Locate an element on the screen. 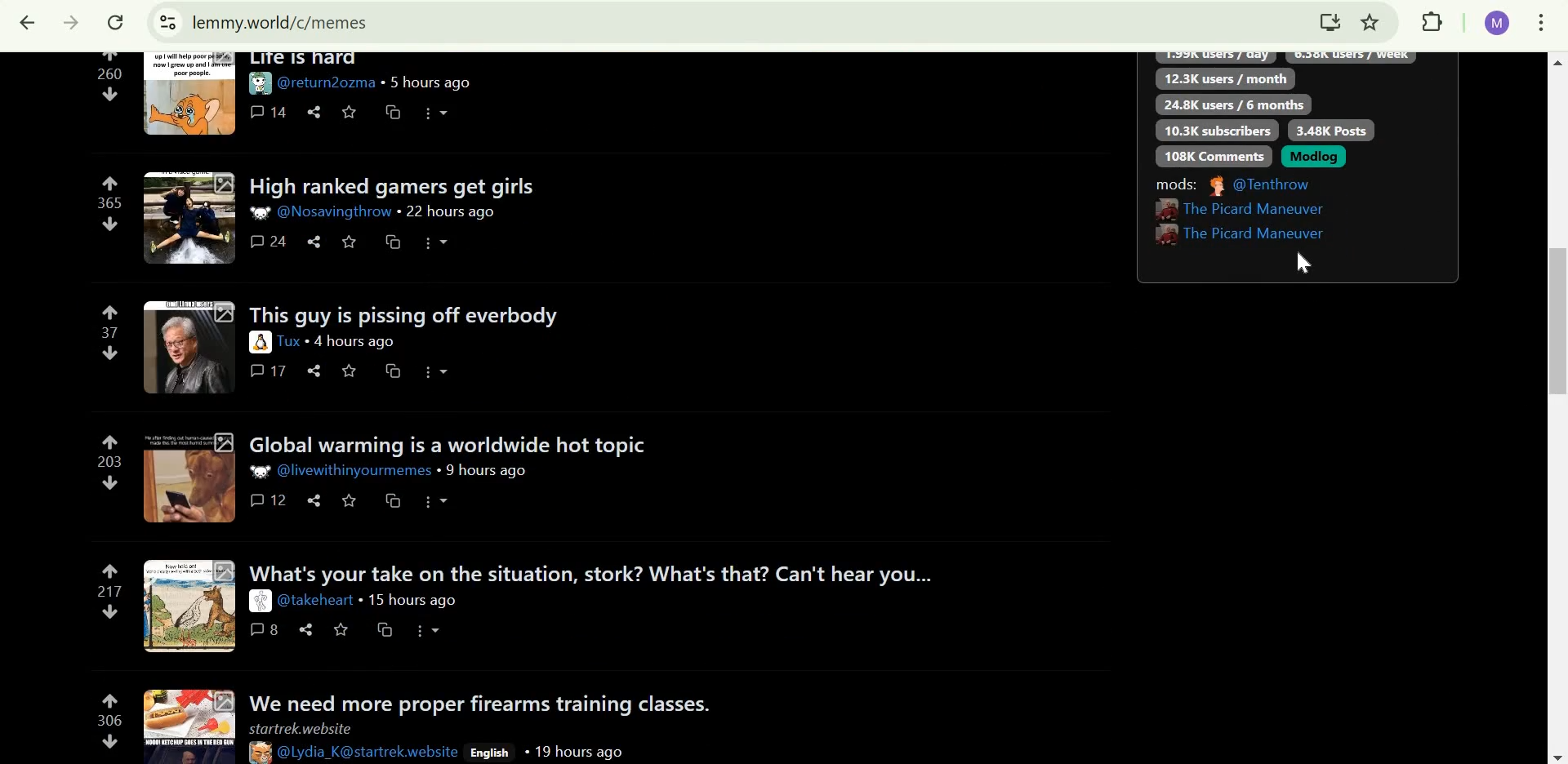 The height and width of the screenshot is (764, 1568). This is guys is pissing off everybody is located at coordinates (403, 313).